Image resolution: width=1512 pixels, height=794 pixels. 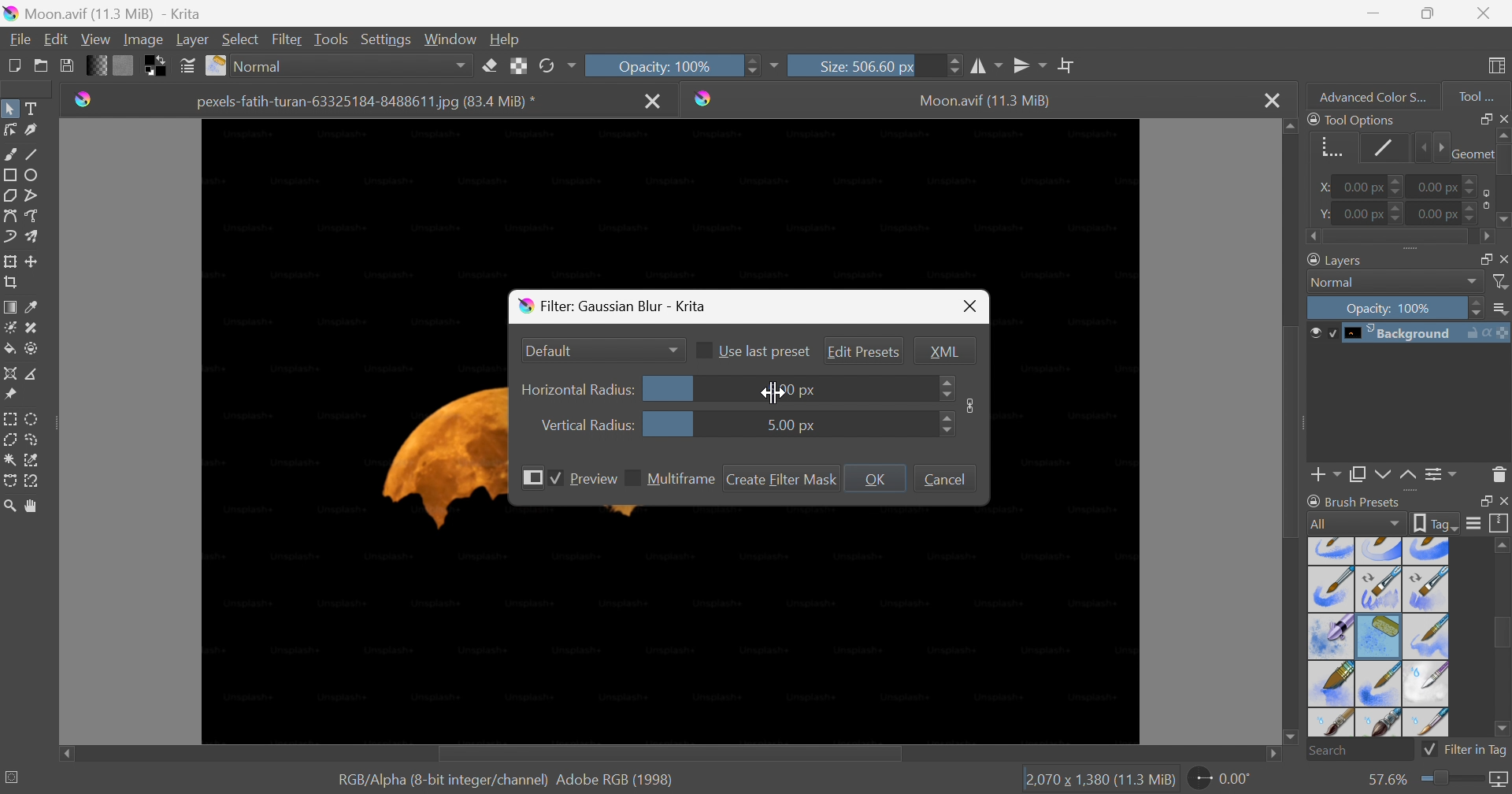 I want to click on Filter in Tag, so click(x=1465, y=752).